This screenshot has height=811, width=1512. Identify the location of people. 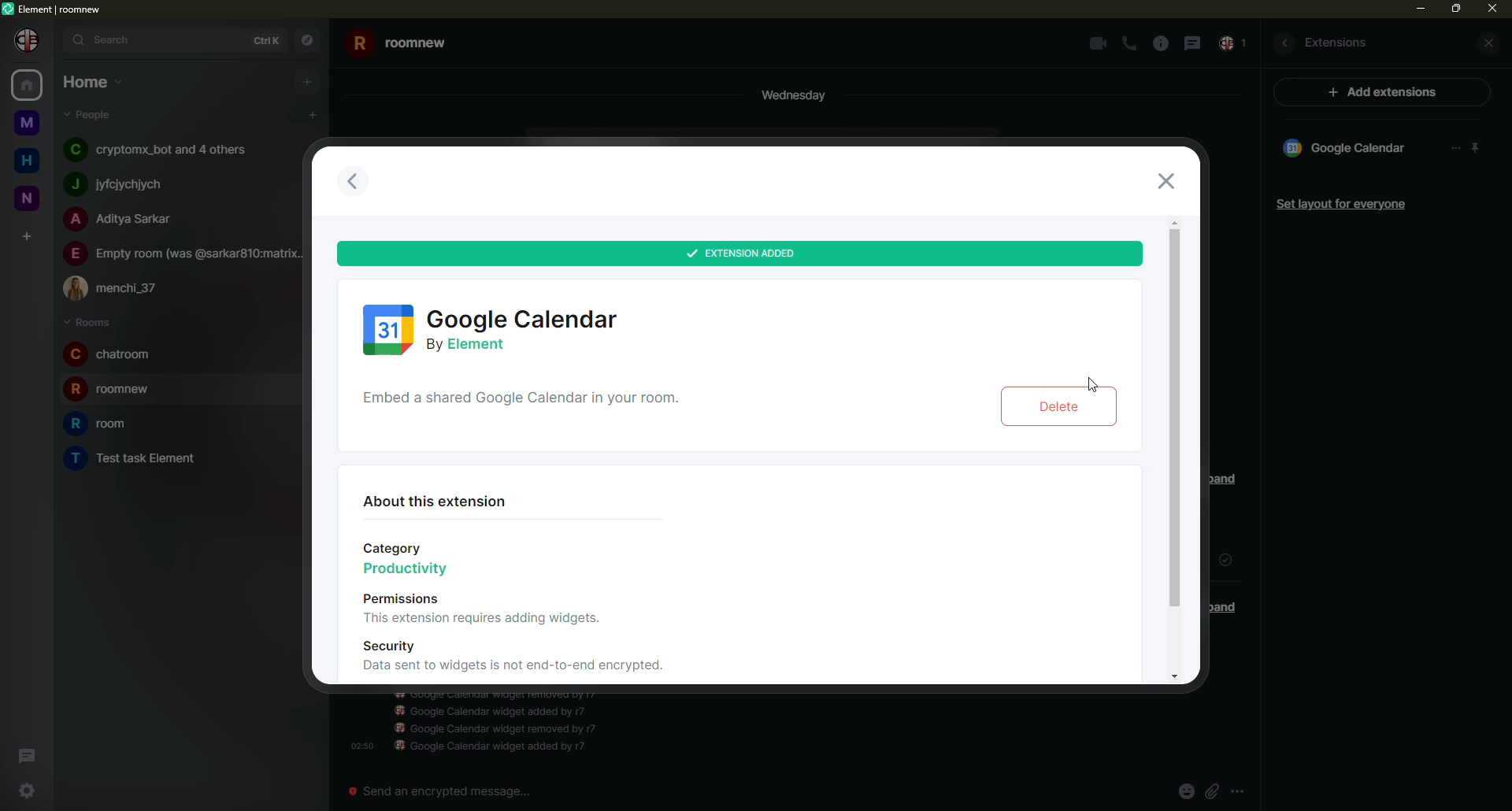
(118, 287).